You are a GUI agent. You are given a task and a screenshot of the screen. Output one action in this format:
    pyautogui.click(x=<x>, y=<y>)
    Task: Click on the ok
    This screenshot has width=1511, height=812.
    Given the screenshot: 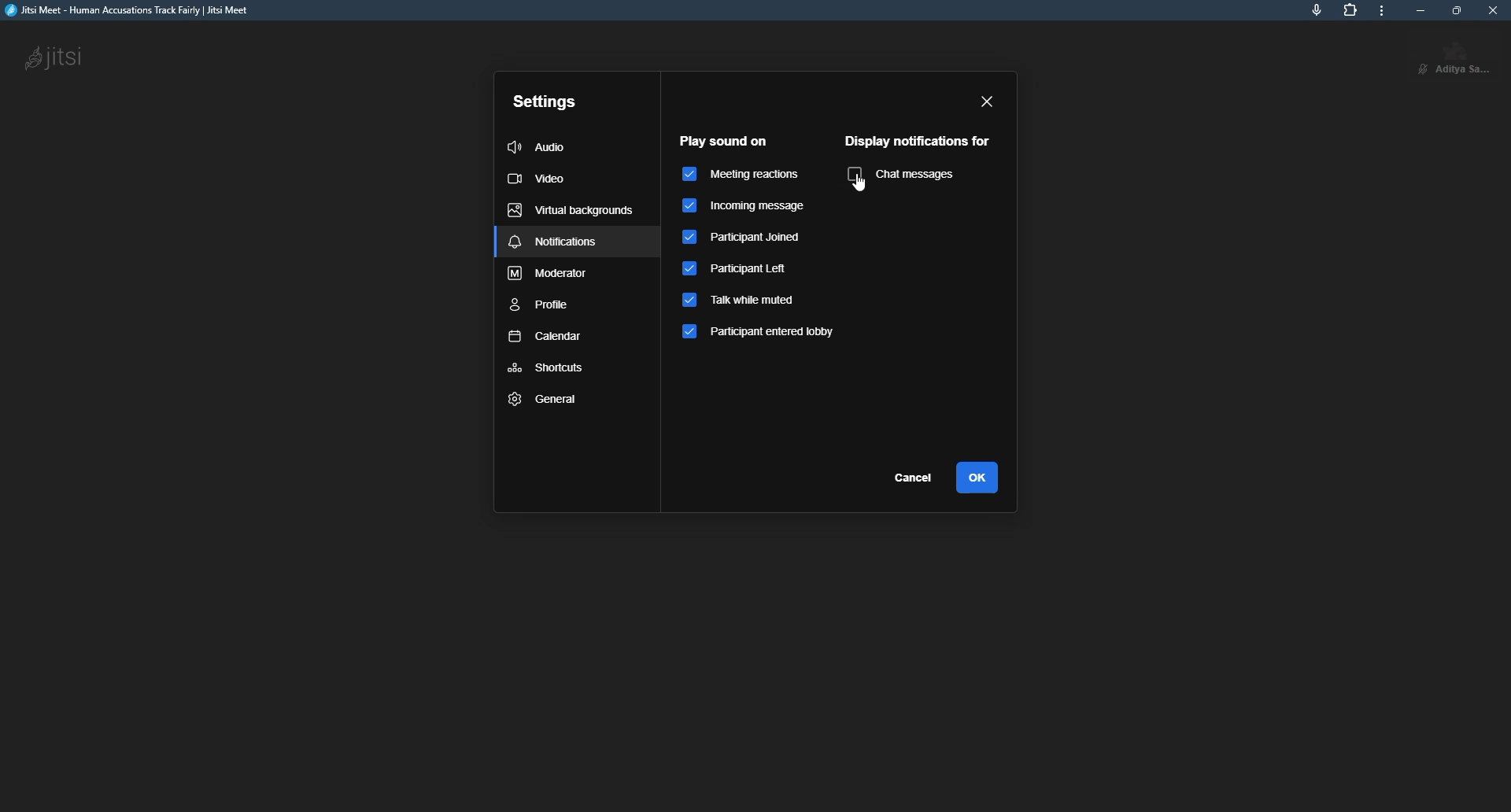 What is the action you would take?
    pyautogui.click(x=980, y=478)
    